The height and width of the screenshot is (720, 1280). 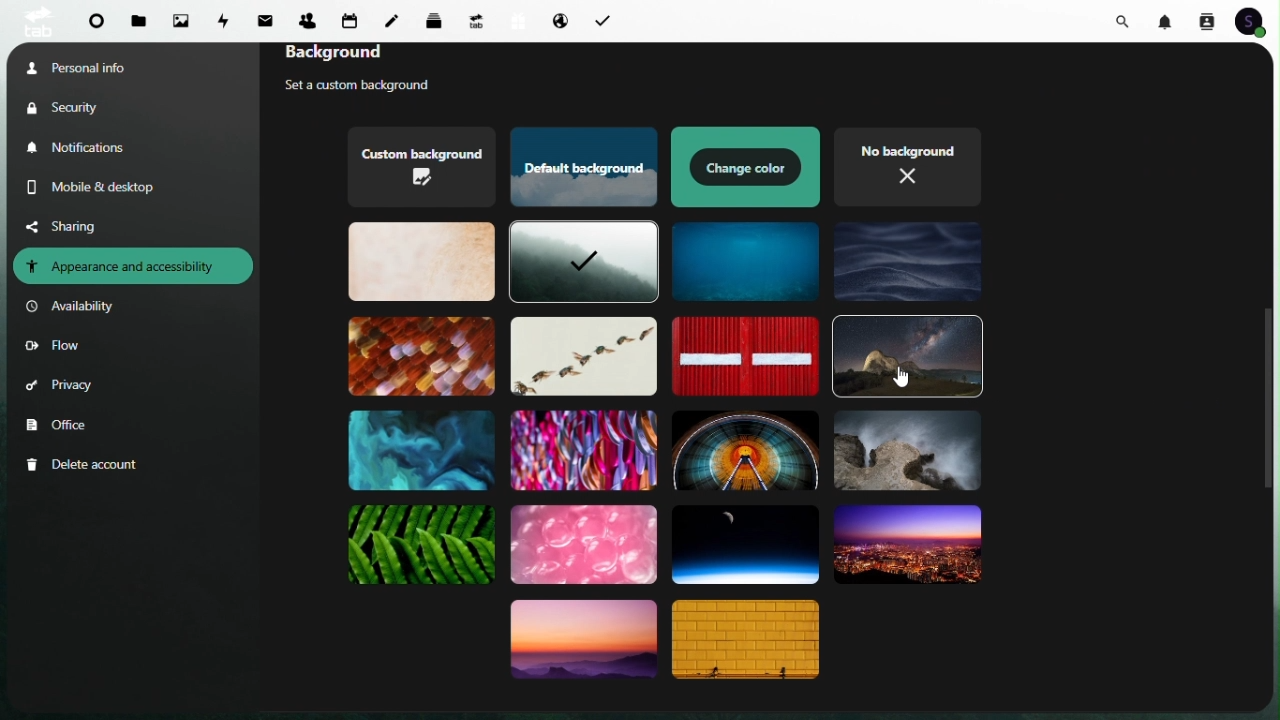 I want to click on set custom background, so click(x=375, y=87).